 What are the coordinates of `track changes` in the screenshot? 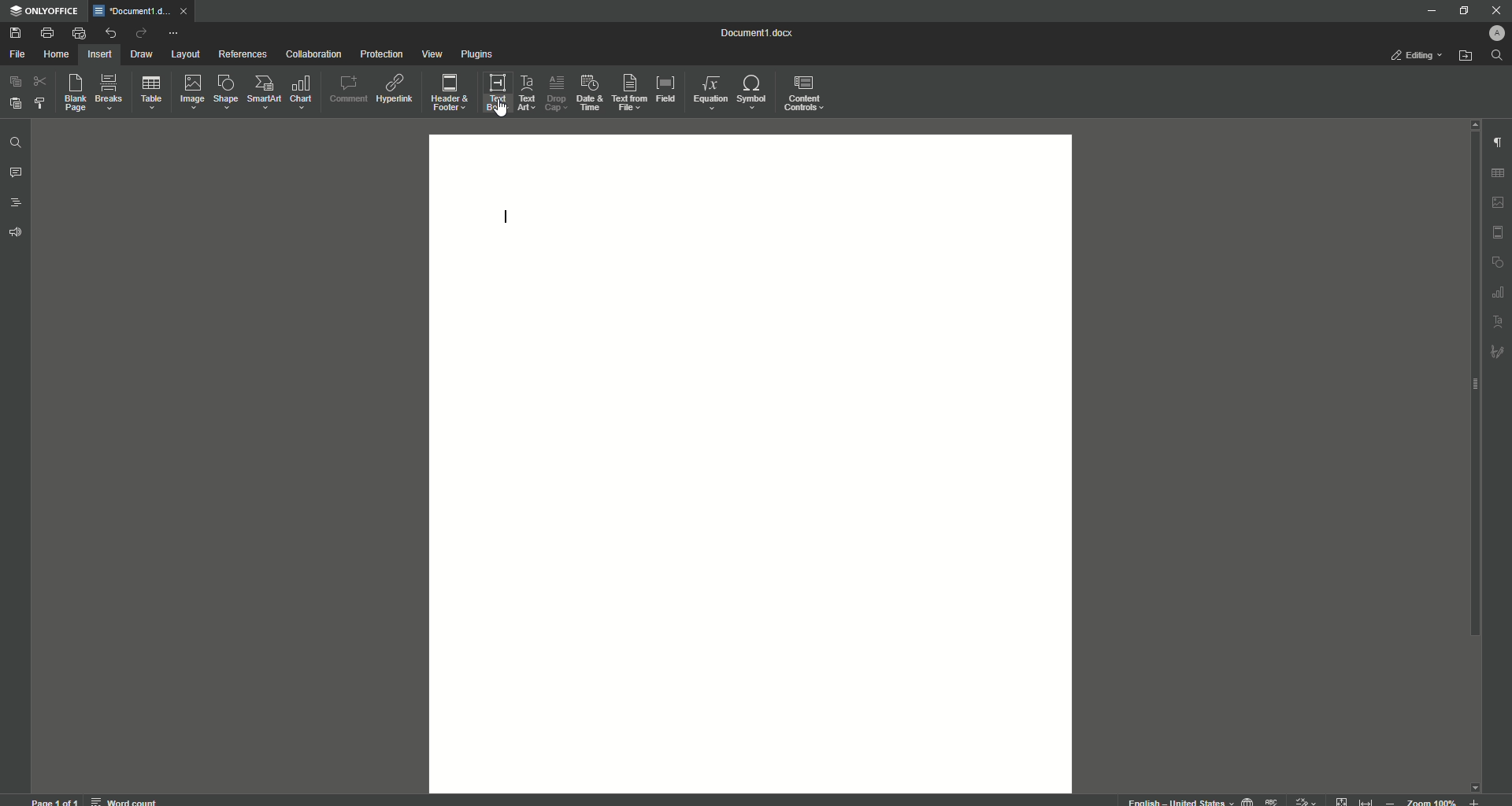 It's located at (1306, 800).